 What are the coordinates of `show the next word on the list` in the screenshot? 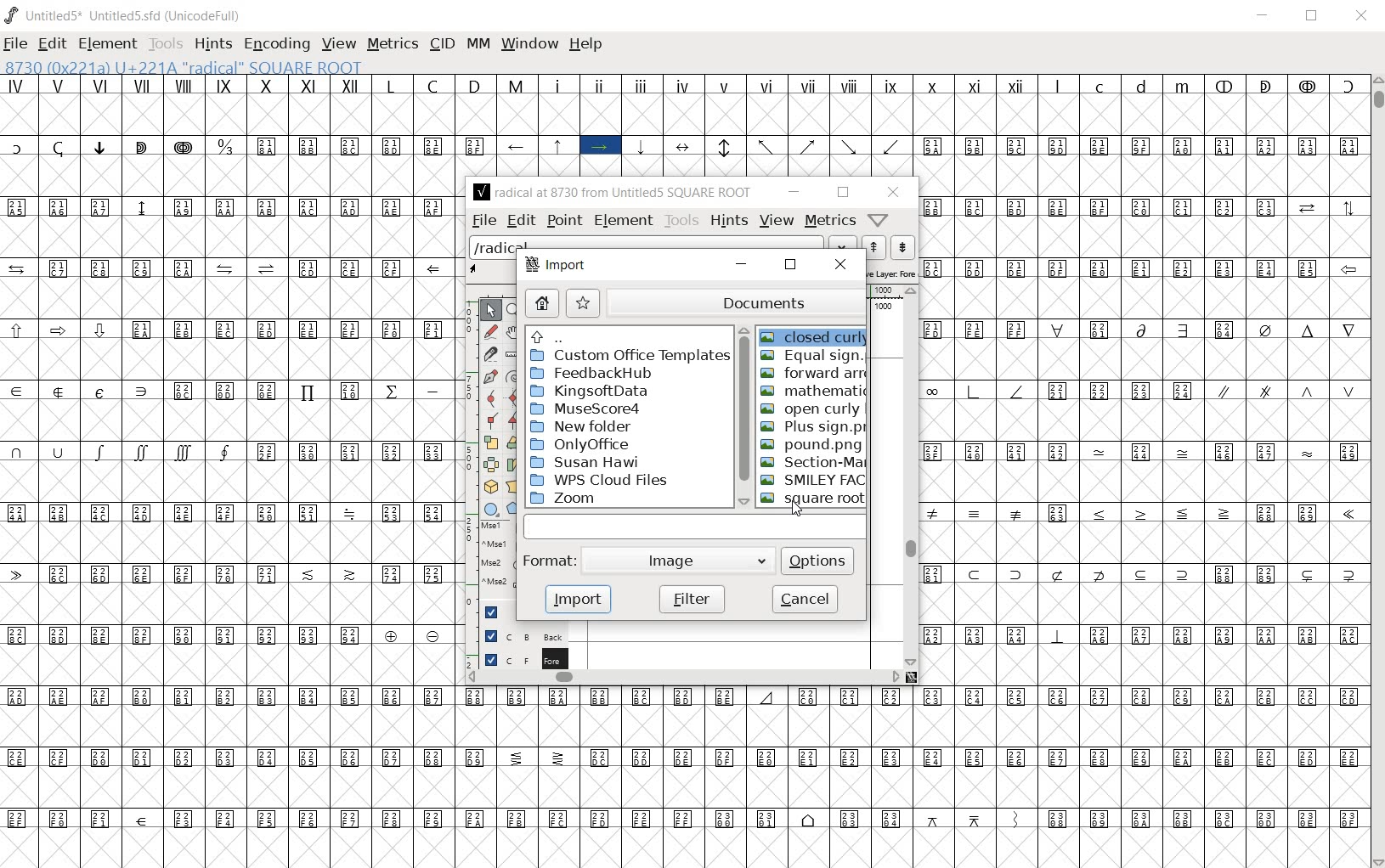 It's located at (875, 246).